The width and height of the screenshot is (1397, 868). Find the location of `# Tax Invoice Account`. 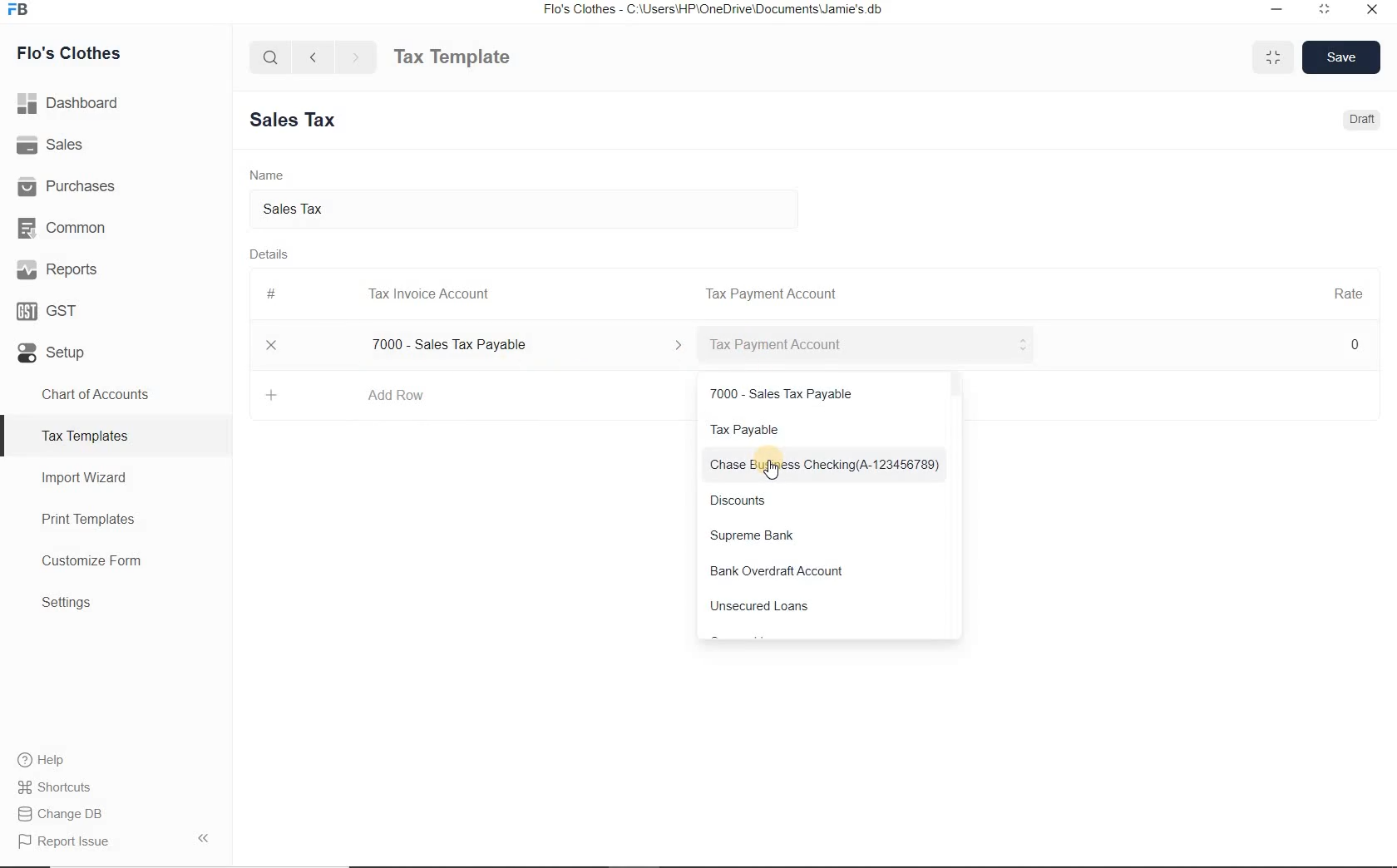

# Tax Invoice Account is located at coordinates (380, 295).